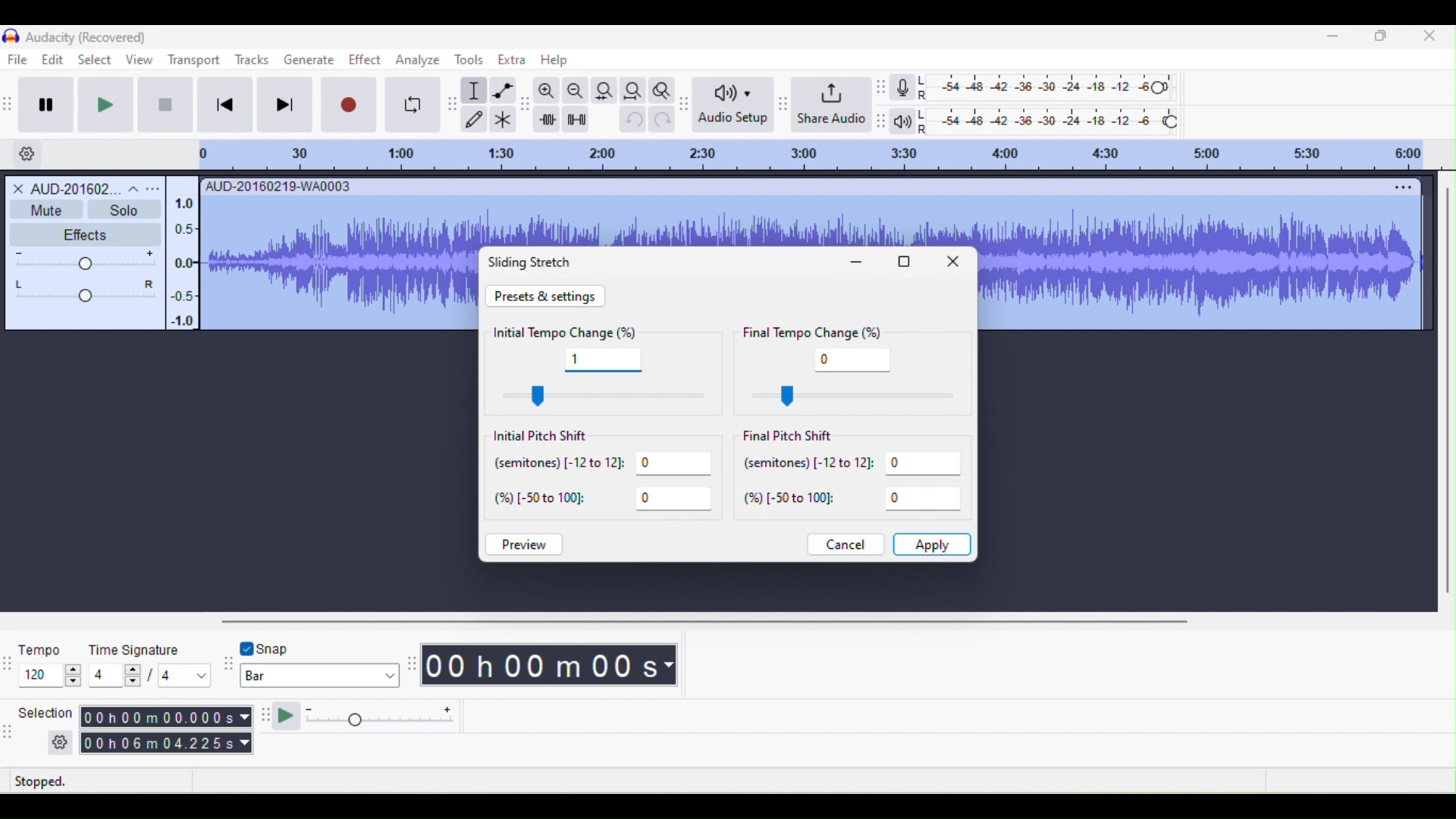  I want to click on initial pitch shift, so click(554, 436).